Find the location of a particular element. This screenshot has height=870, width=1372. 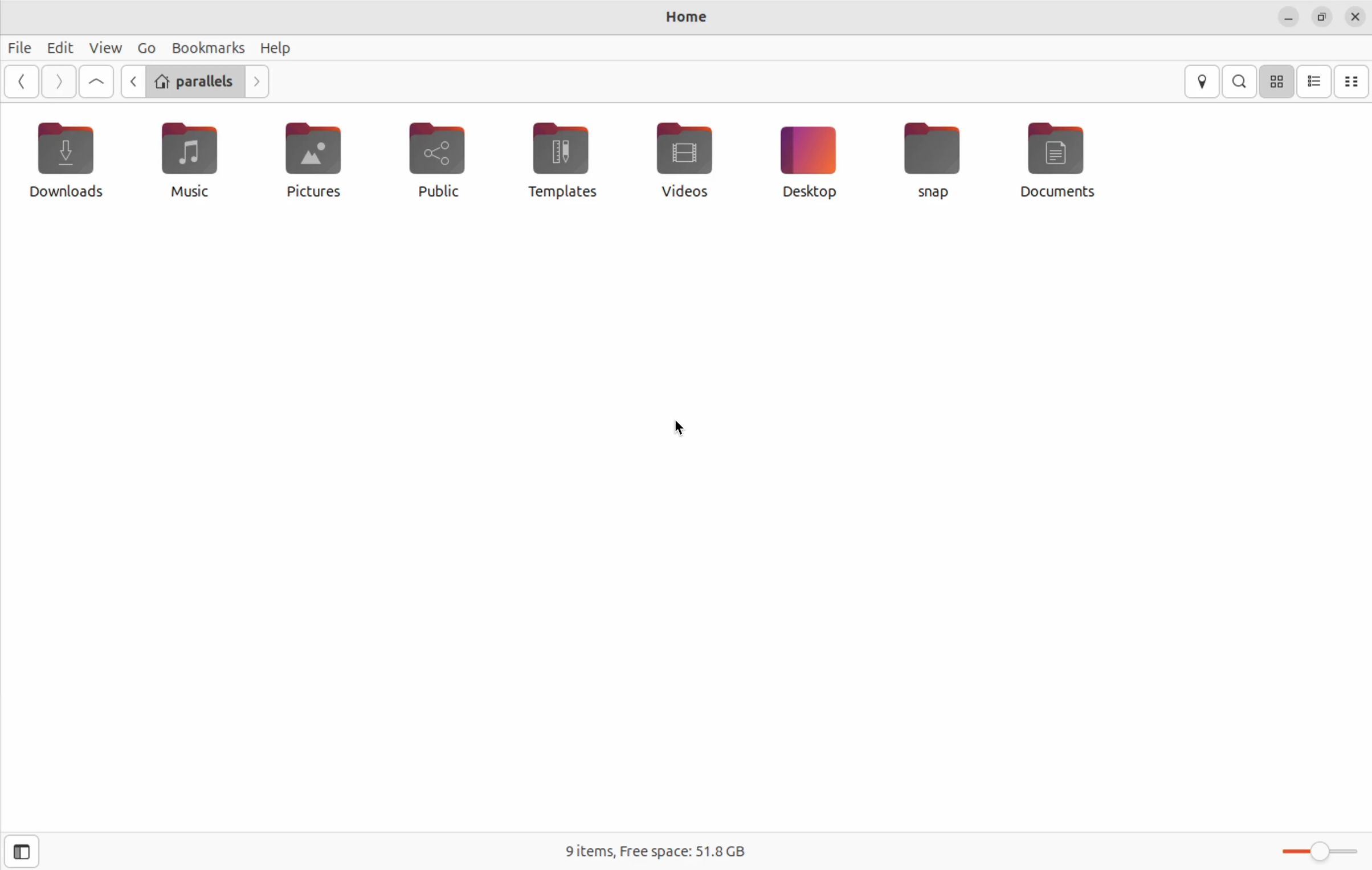

parallels is located at coordinates (193, 81).